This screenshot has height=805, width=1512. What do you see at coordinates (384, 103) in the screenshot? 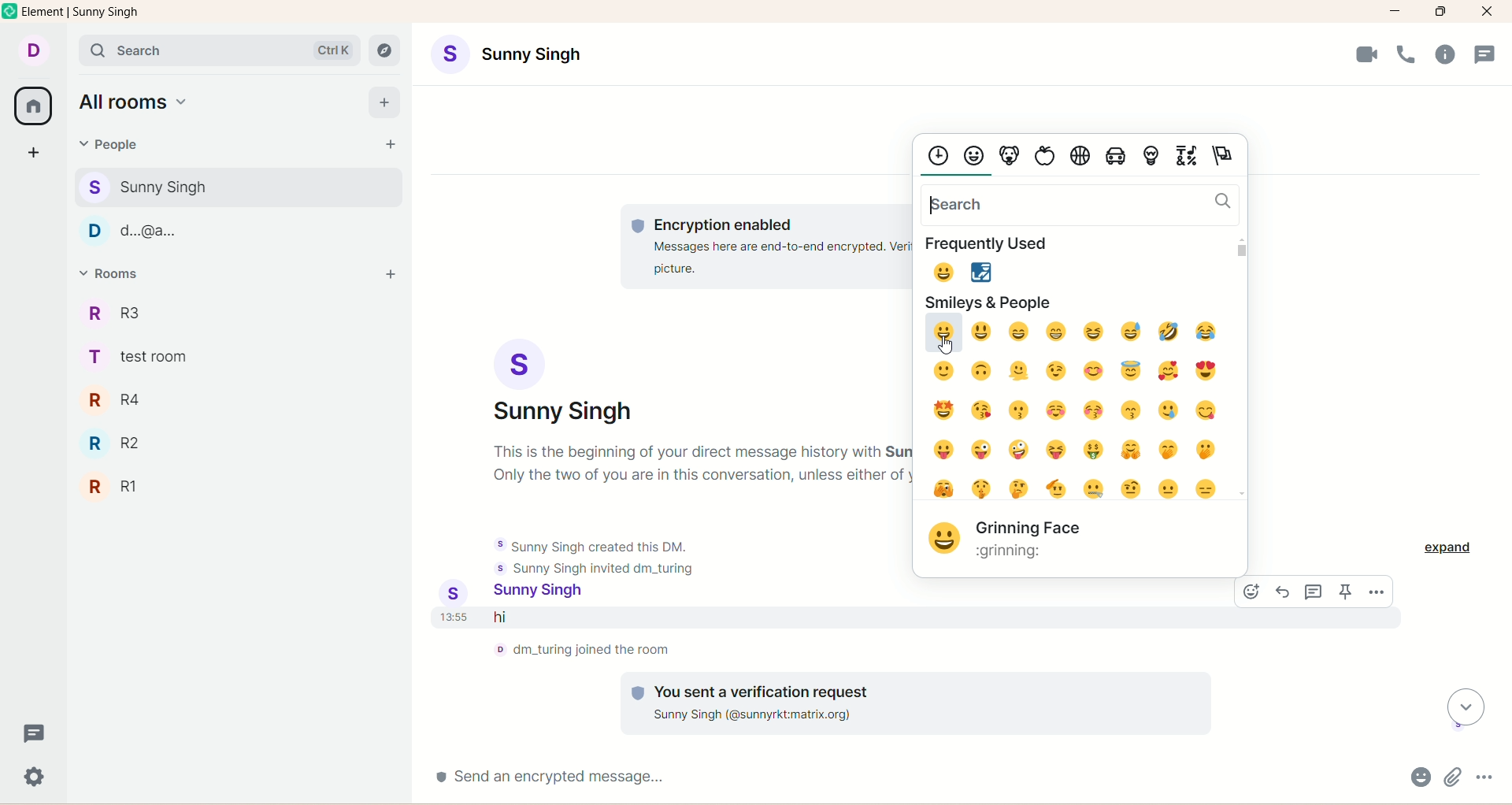
I see `add` at bounding box center [384, 103].